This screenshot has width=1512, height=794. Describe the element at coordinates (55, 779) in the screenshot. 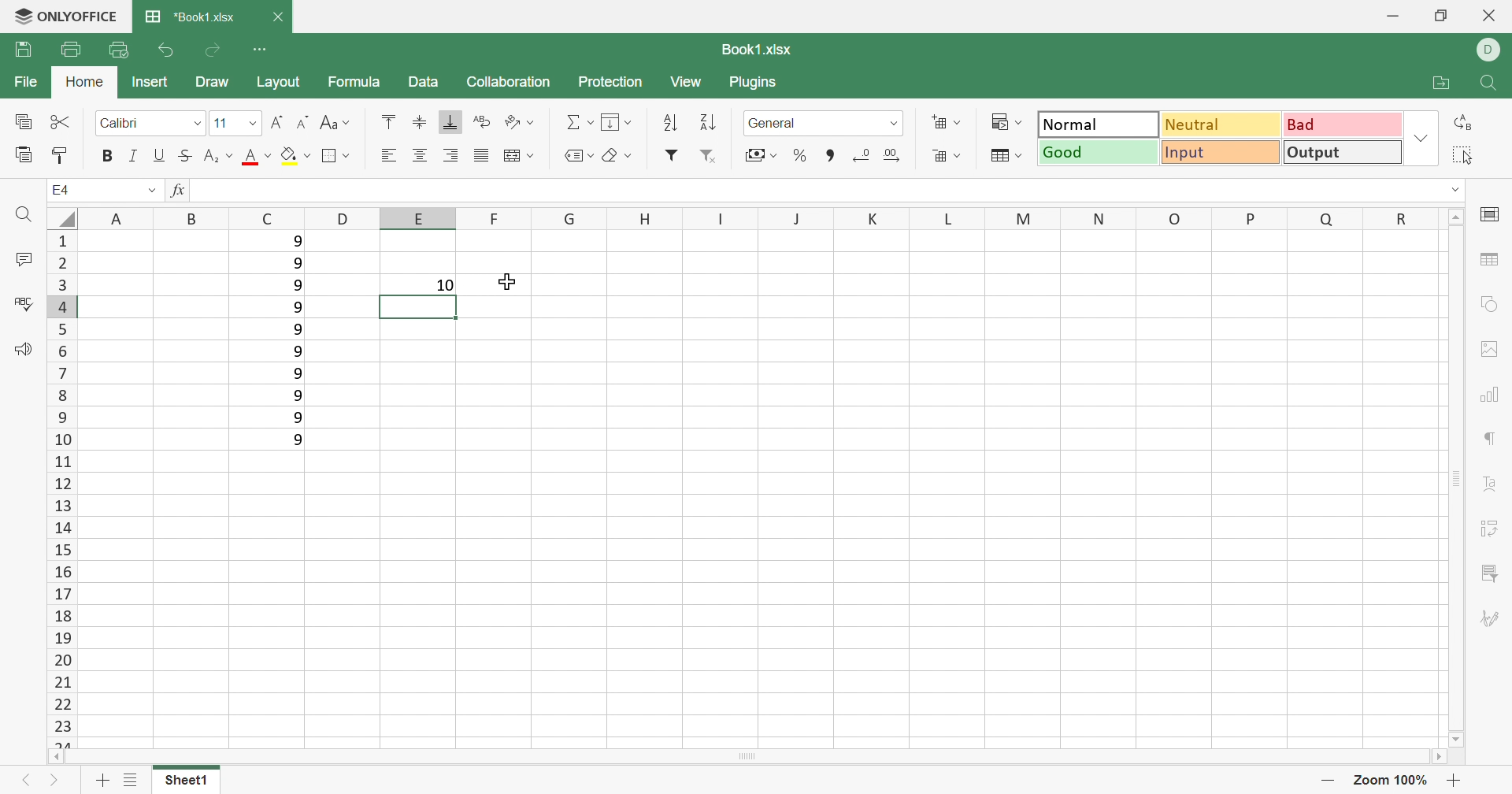

I see `Next` at that location.